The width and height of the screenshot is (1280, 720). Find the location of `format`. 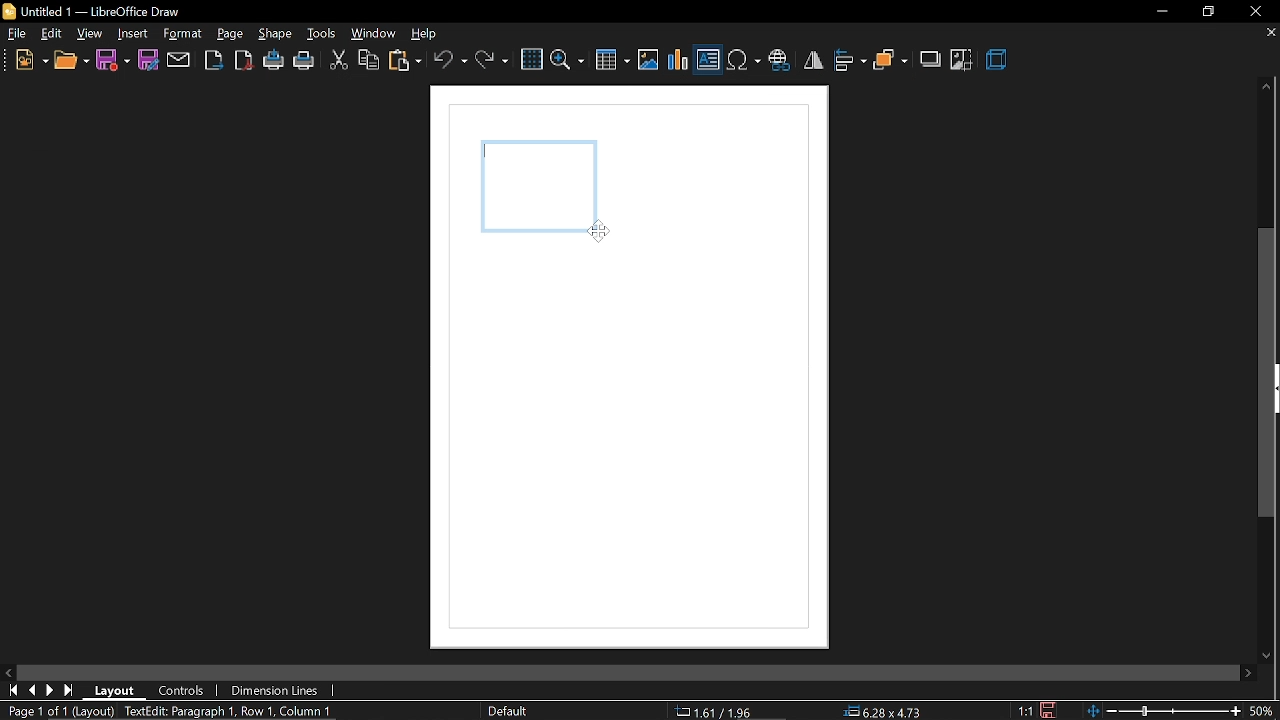

format is located at coordinates (182, 33).